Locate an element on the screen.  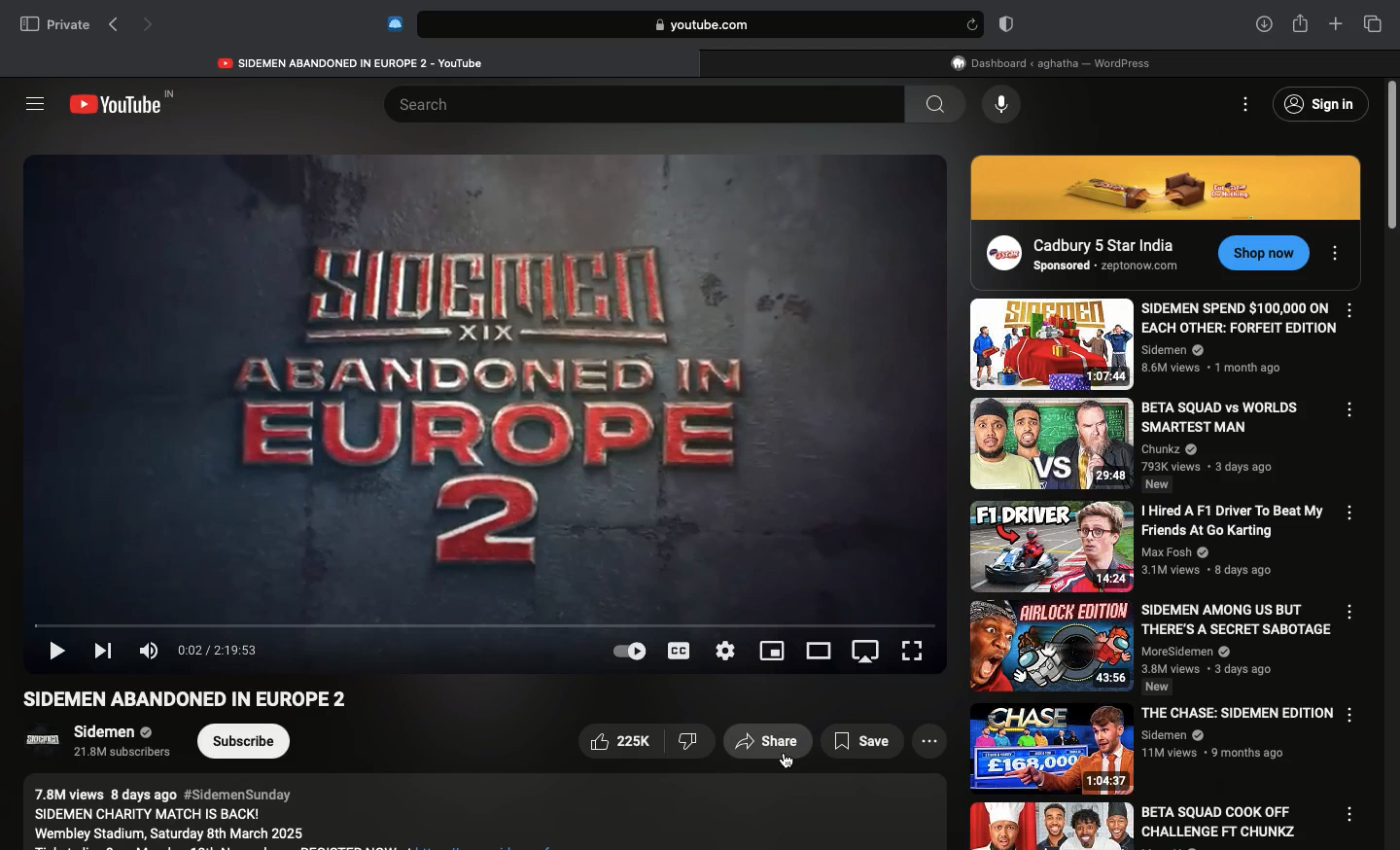
Next video is located at coordinates (106, 652).